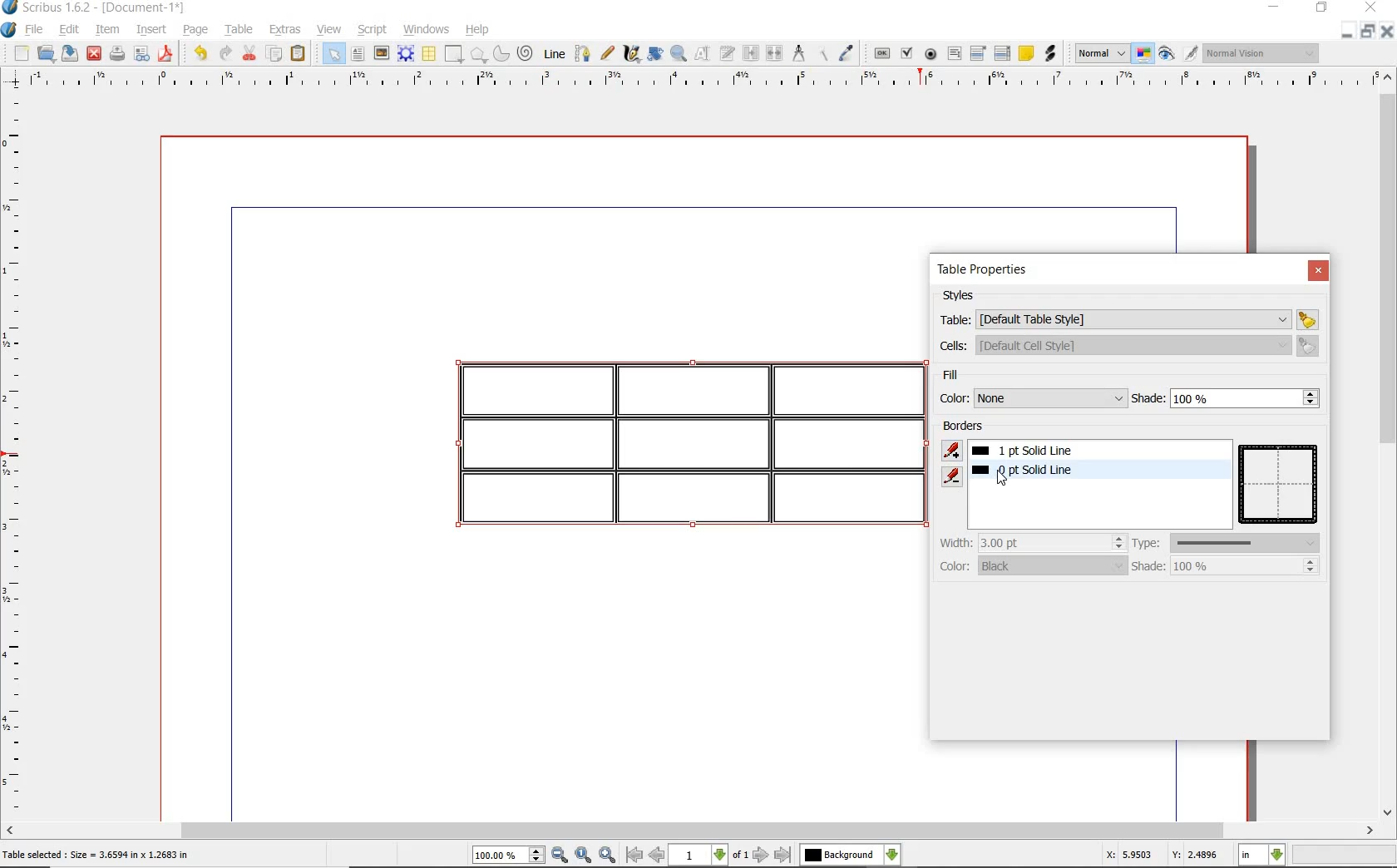 This screenshot has width=1397, height=868. Describe the element at coordinates (1223, 565) in the screenshot. I see `shade` at that location.